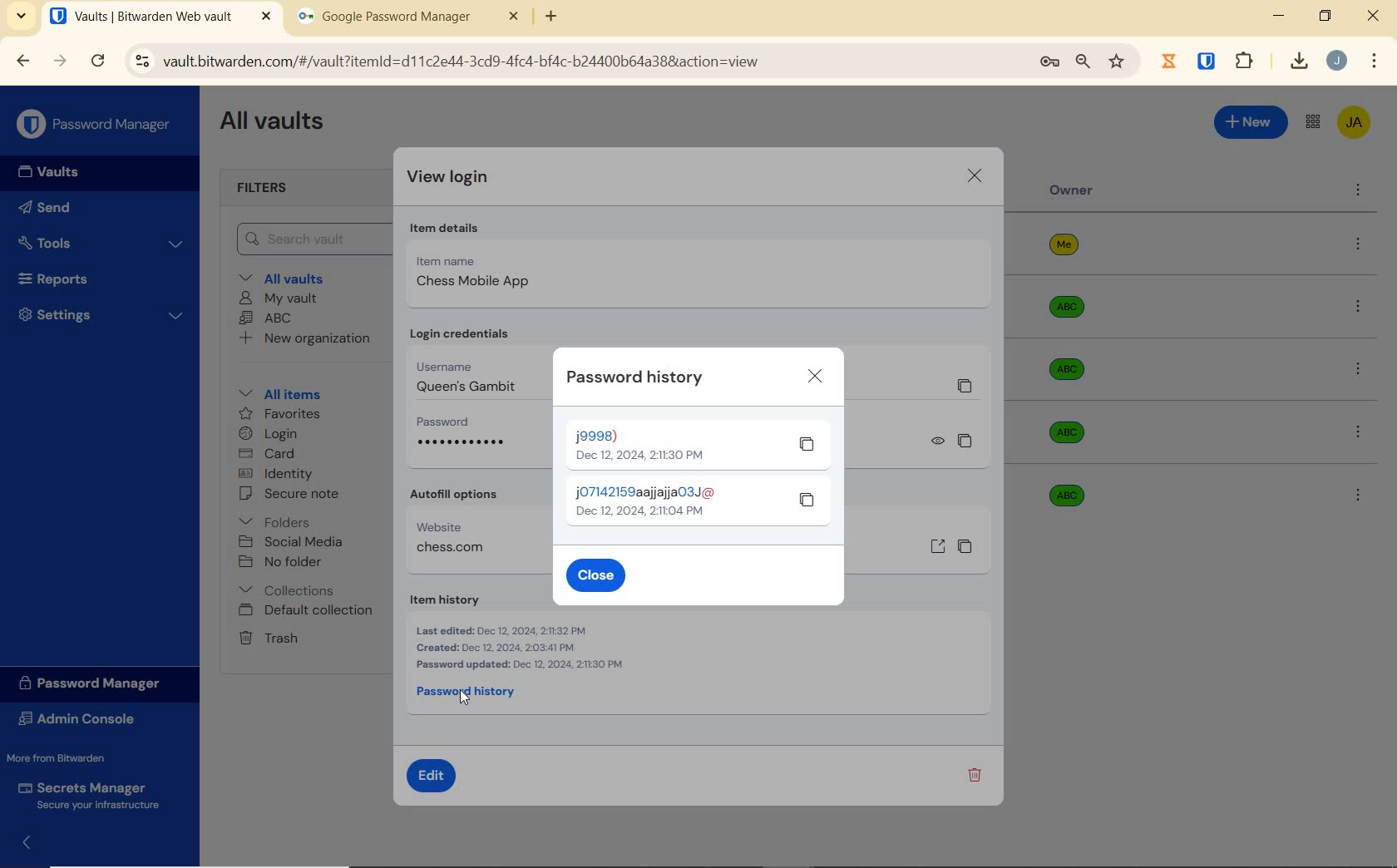 The image size is (1397, 868). I want to click on view login, so click(447, 177).